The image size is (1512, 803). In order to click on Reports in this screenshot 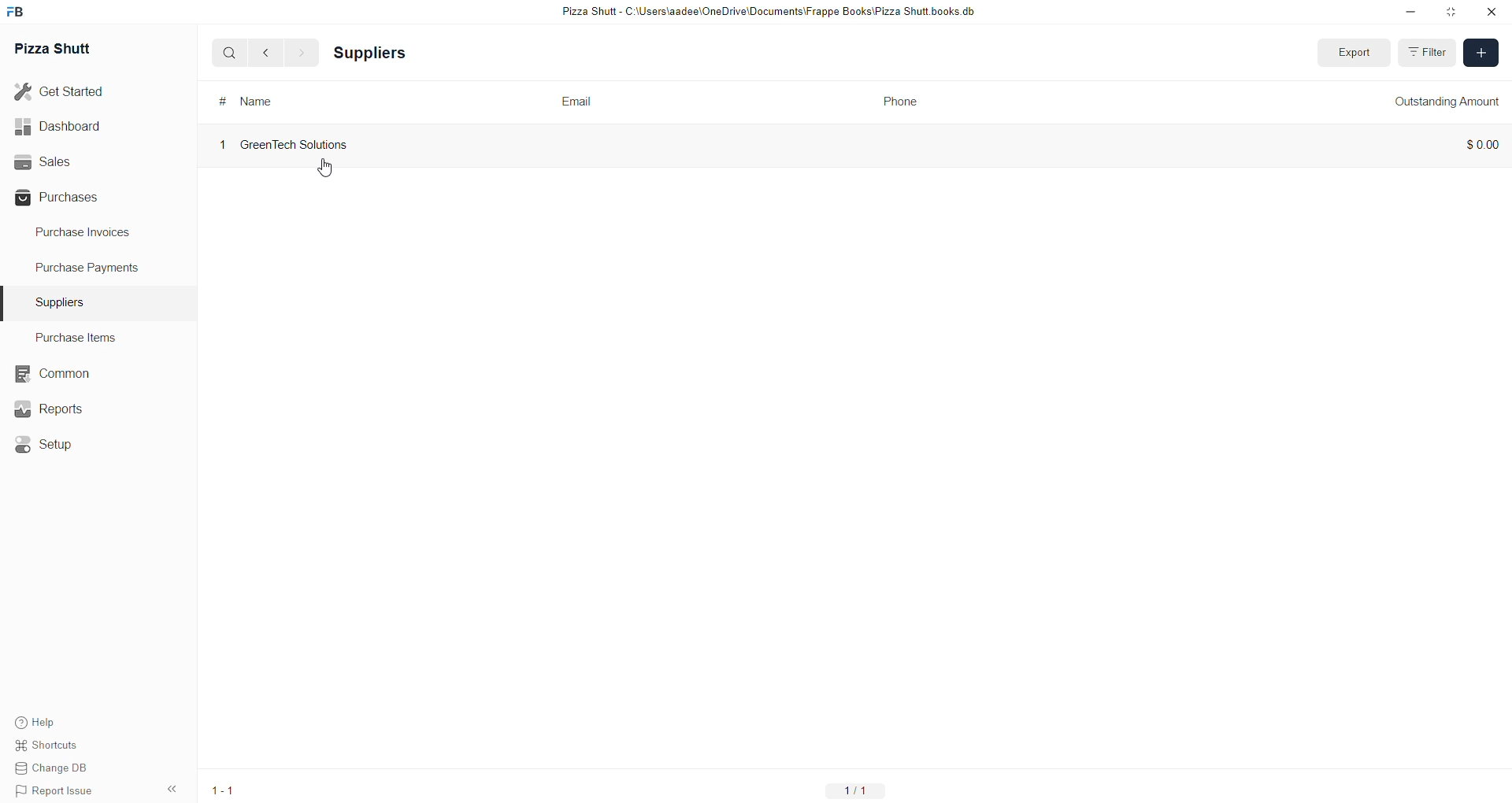, I will do `click(51, 409)`.